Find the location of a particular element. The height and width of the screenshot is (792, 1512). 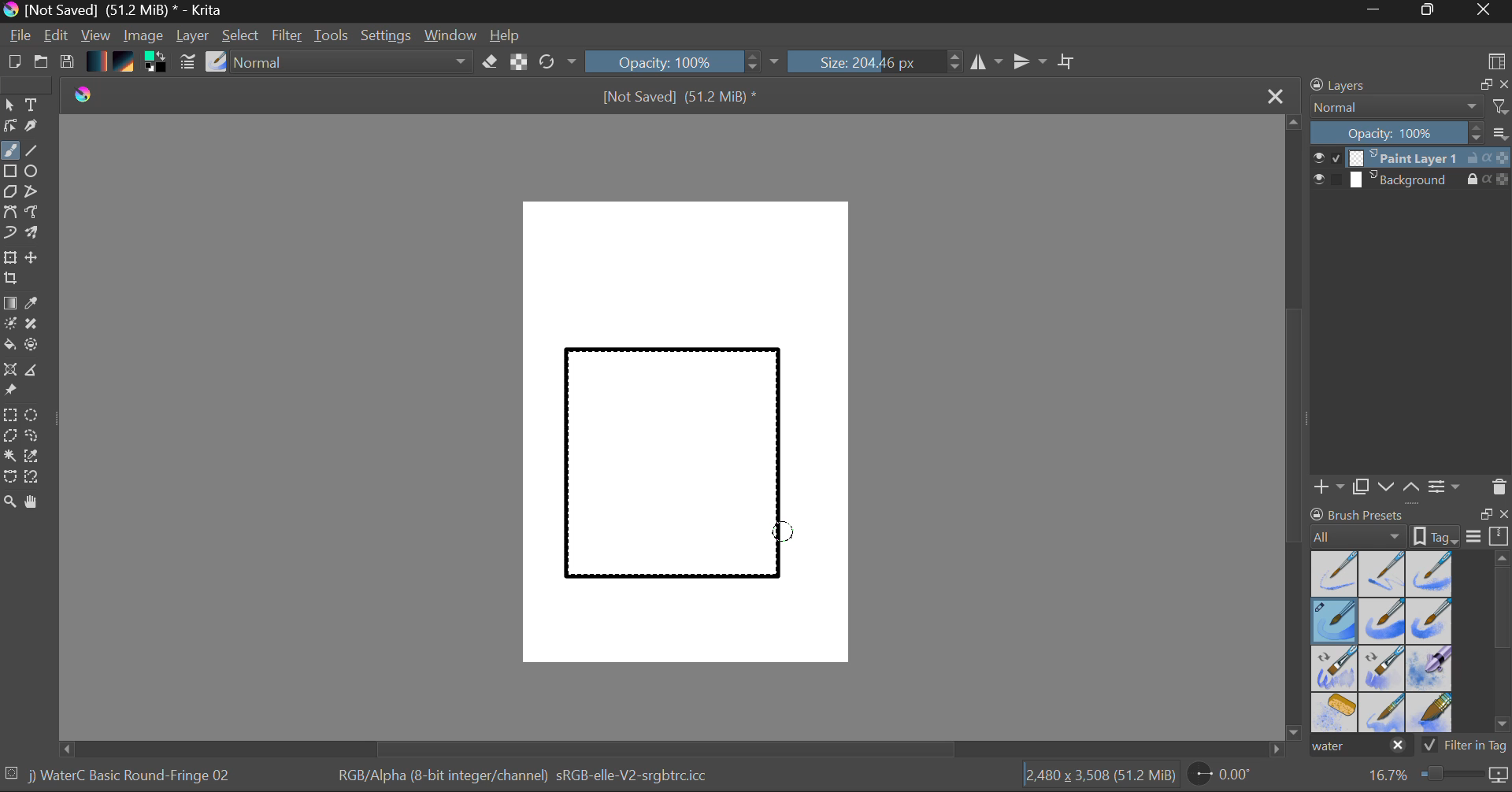

Pan is located at coordinates (37, 505).